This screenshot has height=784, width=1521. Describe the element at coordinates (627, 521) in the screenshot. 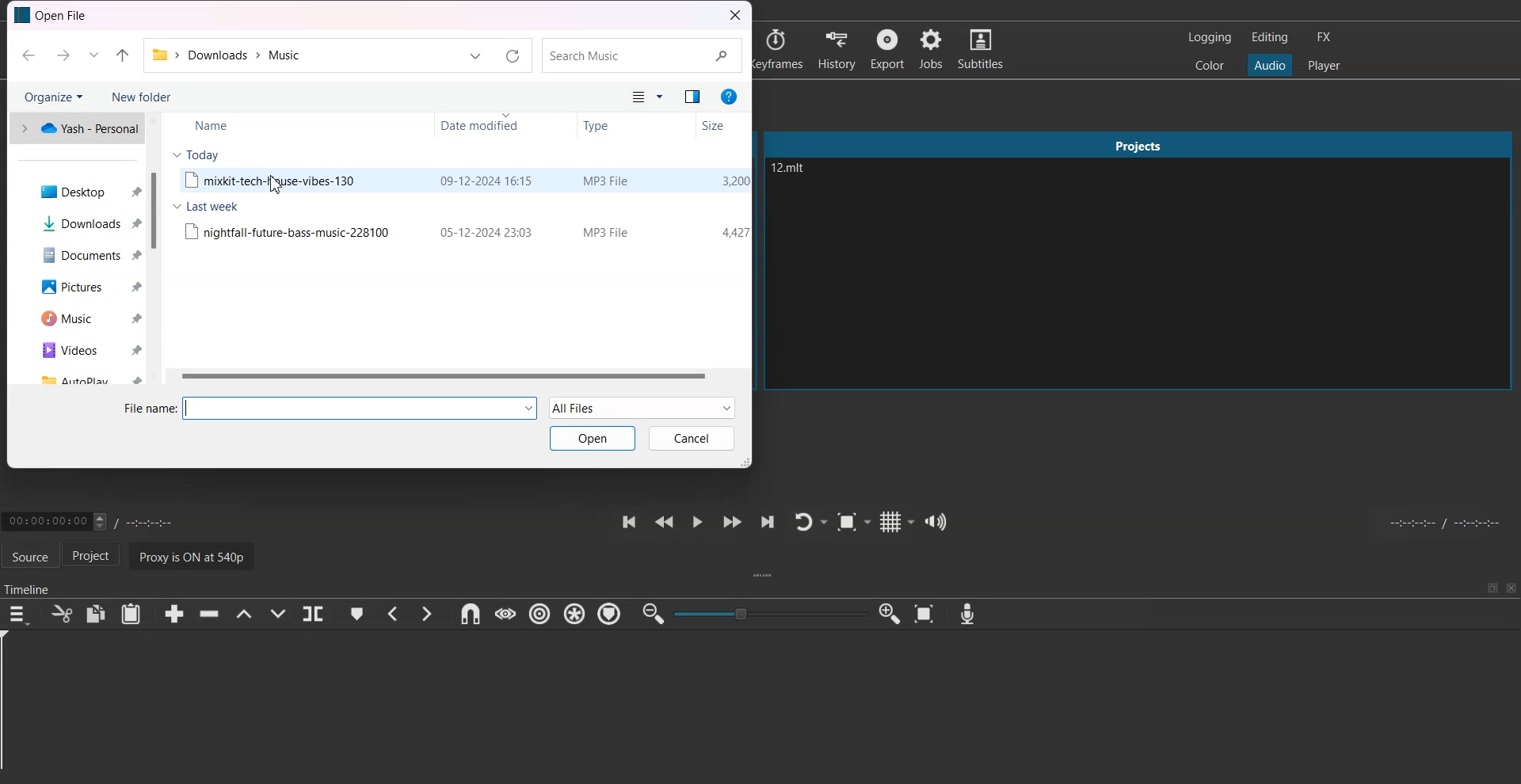

I see `Skip to the previous point` at that location.